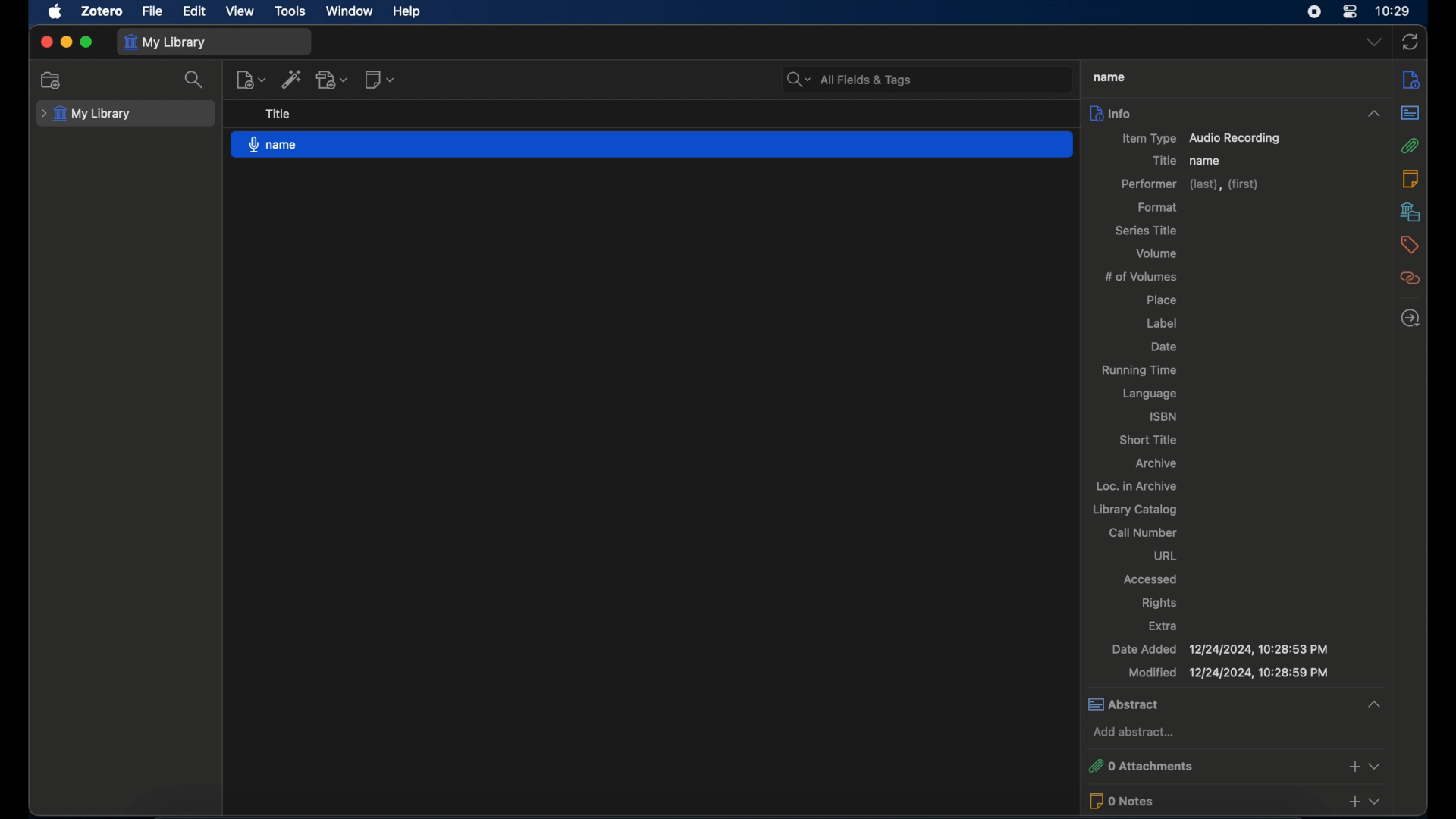 Image resolution: width=1456 pixels, height=819 pixels. Describe the element at coordinates (1220, 649) in the screenshot. I see `date added` at that location.